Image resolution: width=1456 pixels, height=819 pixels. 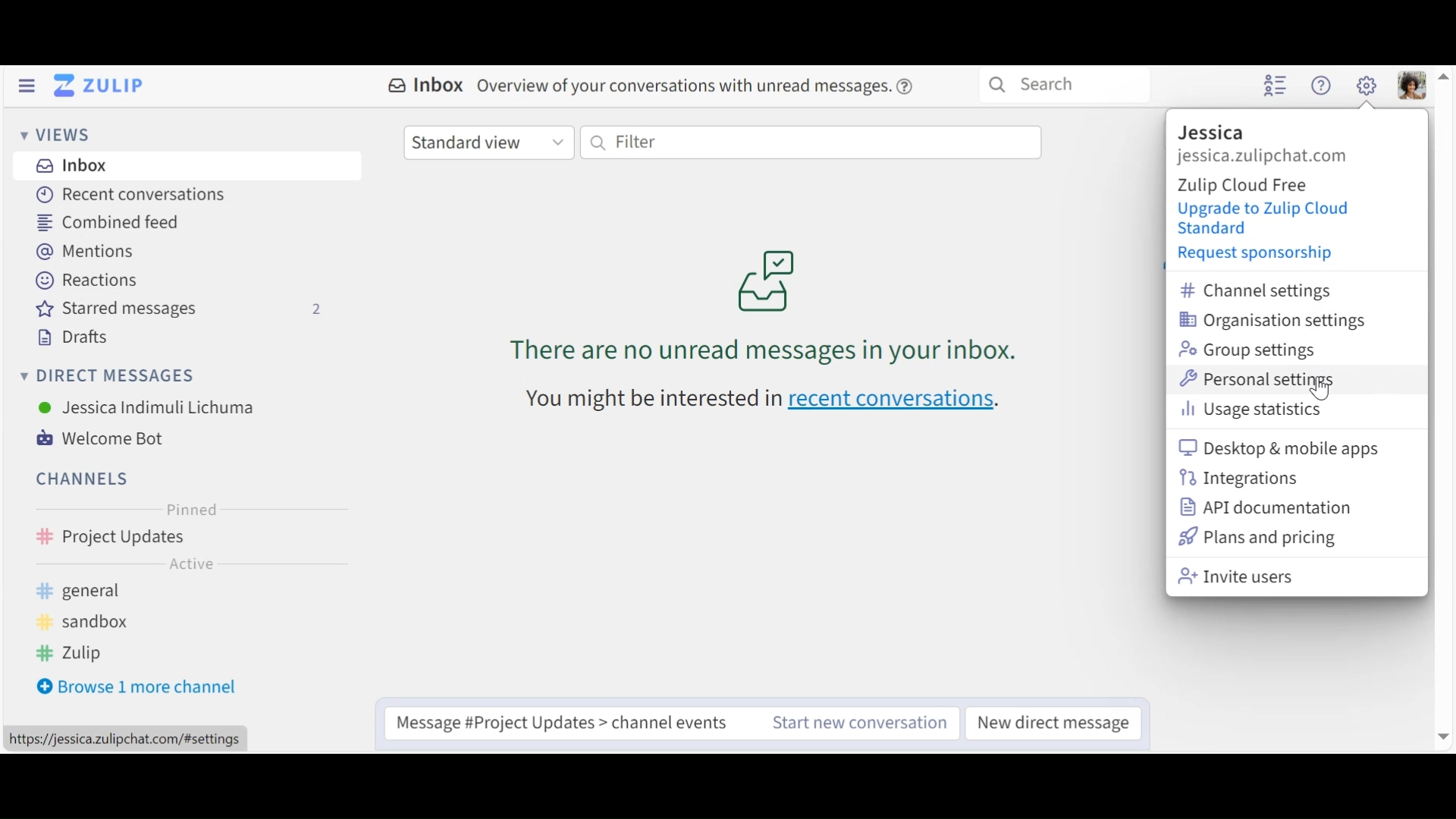 What do you see at coordinates (90, 622) in the screenshot?
I see `sandbox` at bounding box center [90, 622].